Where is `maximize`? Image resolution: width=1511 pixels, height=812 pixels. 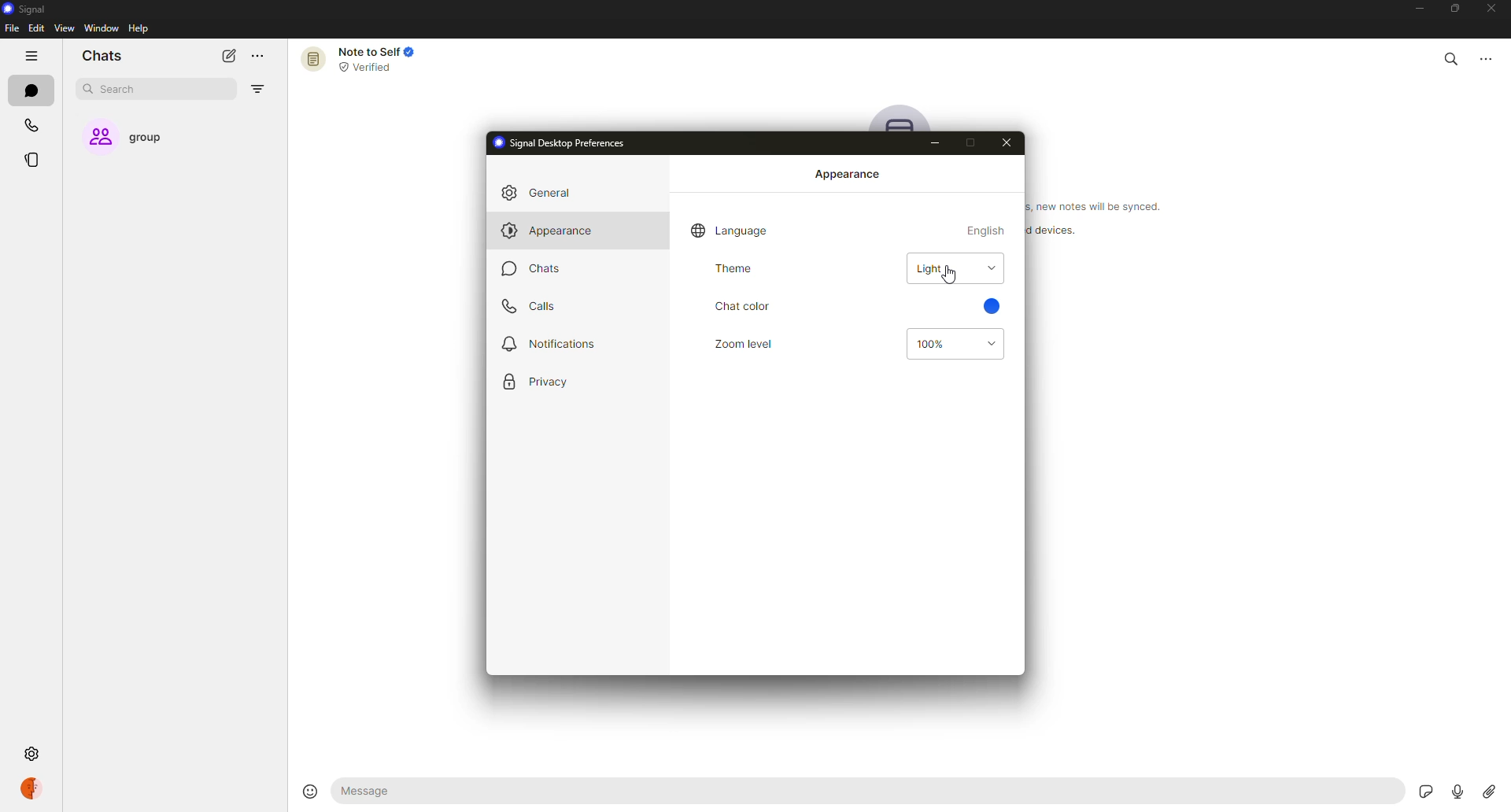 maximize is located at coordinates (1451, 9).